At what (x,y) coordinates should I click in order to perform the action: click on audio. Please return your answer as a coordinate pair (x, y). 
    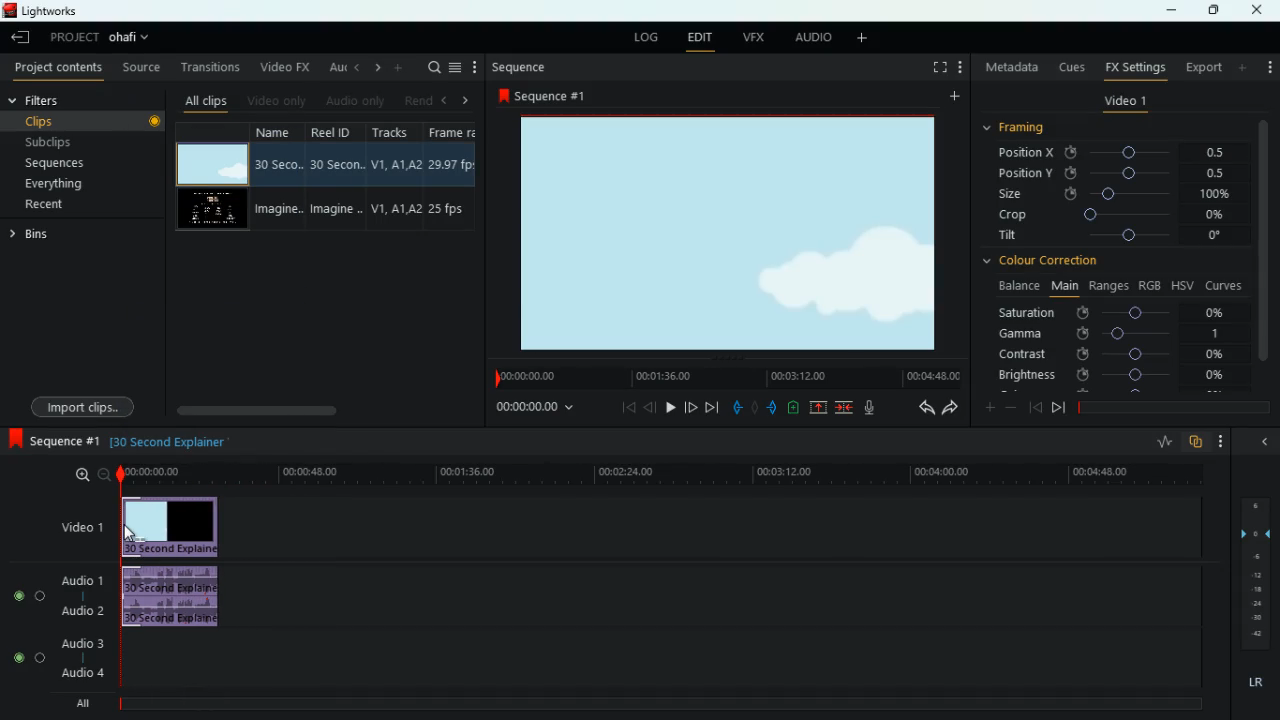
    Looking at the image, I should click on (174, 597).